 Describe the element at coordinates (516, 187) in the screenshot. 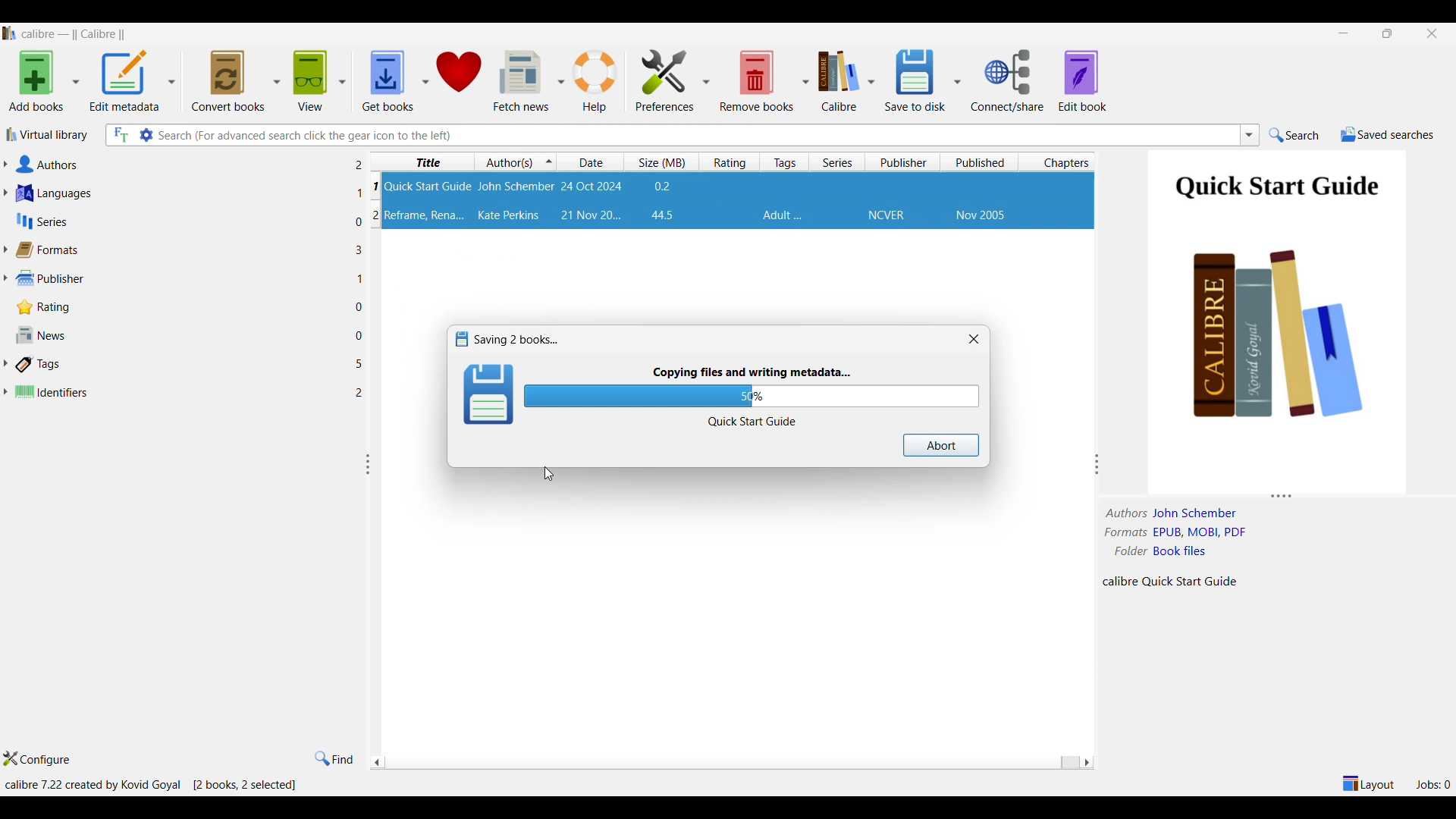

I see `Author` at that location.